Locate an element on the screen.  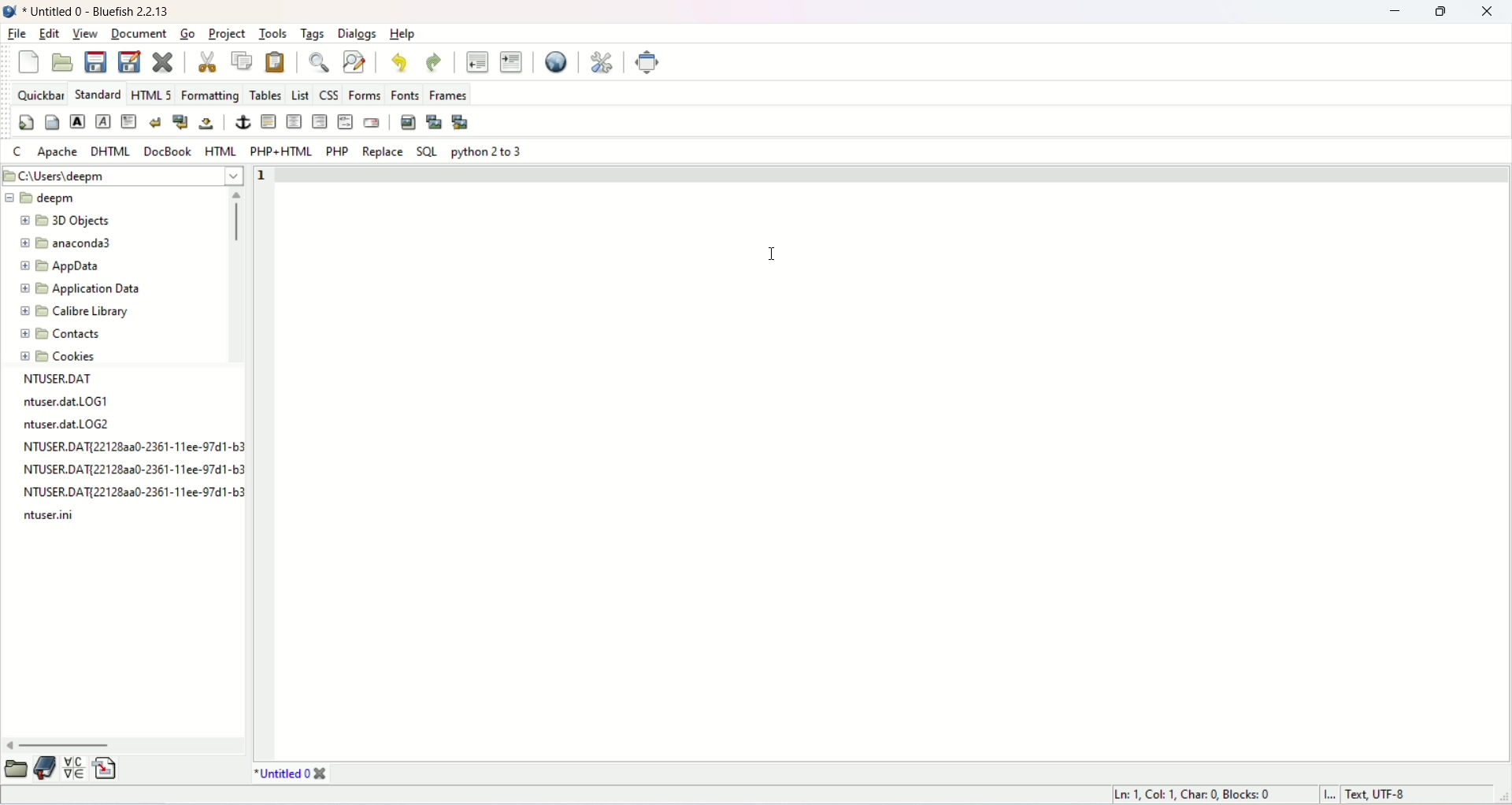
non-breaking space is located at coordinates (208, 124).